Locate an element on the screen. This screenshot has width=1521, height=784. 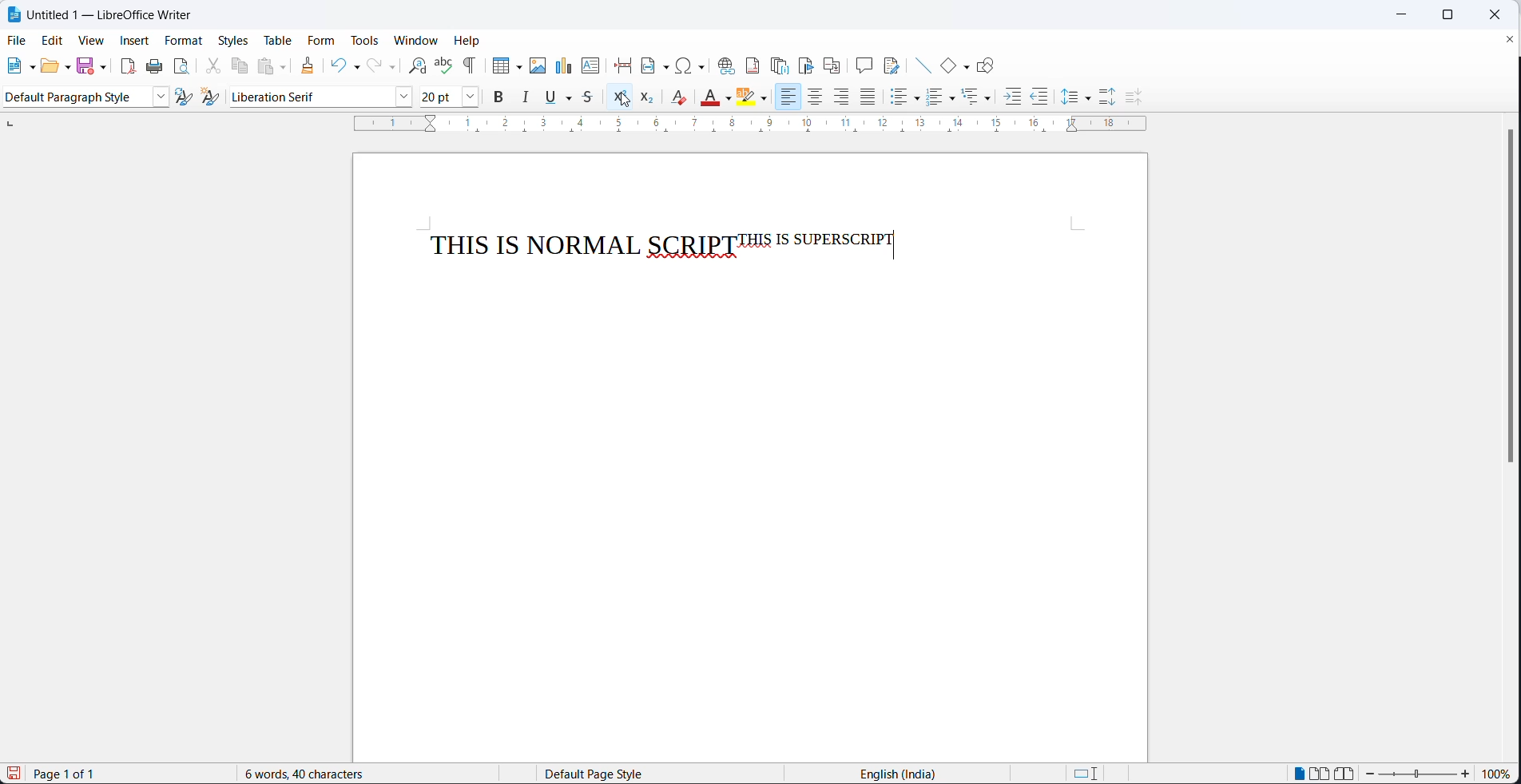
page style is located at coordinates (653, 774).